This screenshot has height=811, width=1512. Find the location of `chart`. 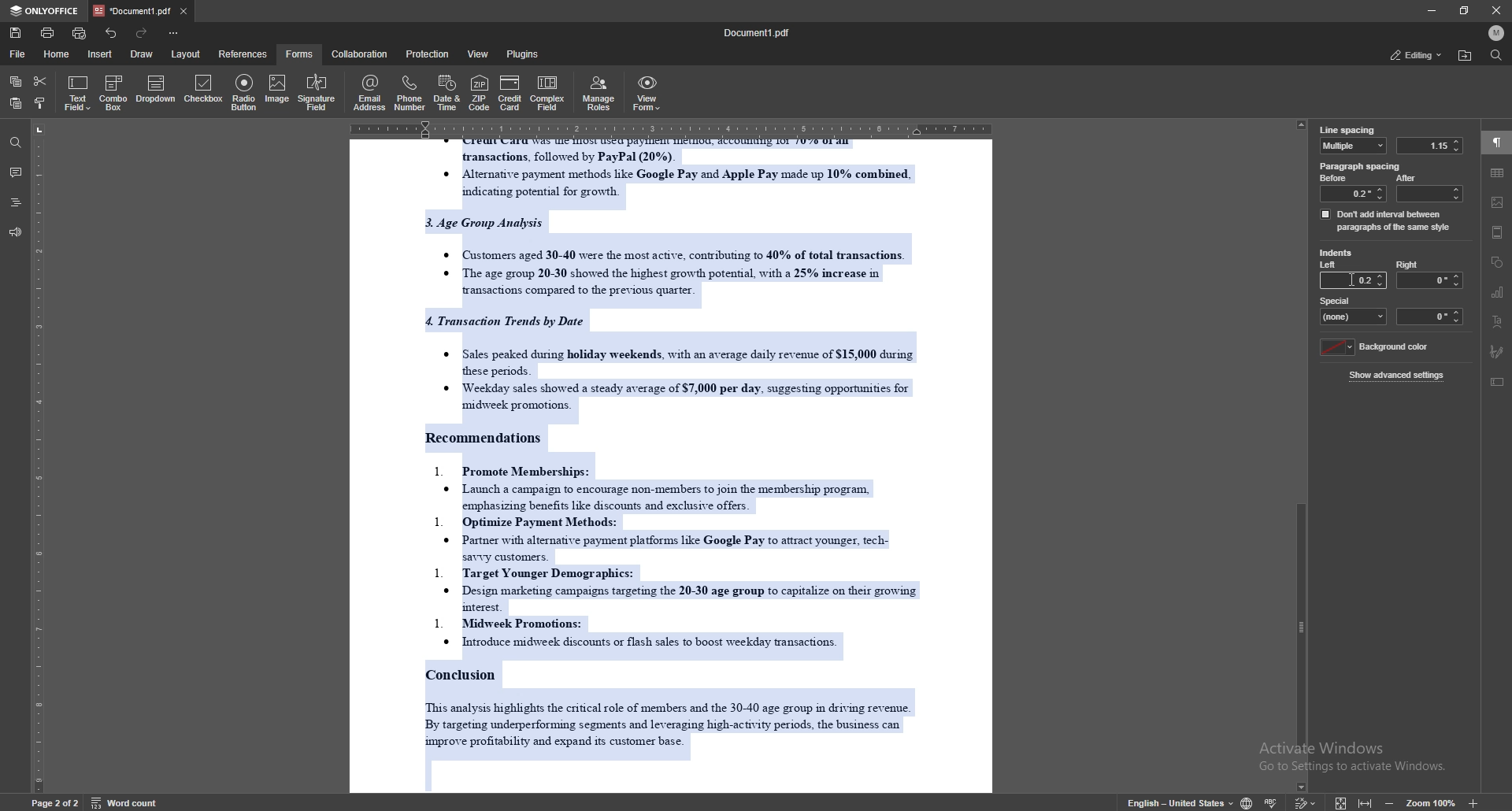

chart is located at coordinates (1498, 293).